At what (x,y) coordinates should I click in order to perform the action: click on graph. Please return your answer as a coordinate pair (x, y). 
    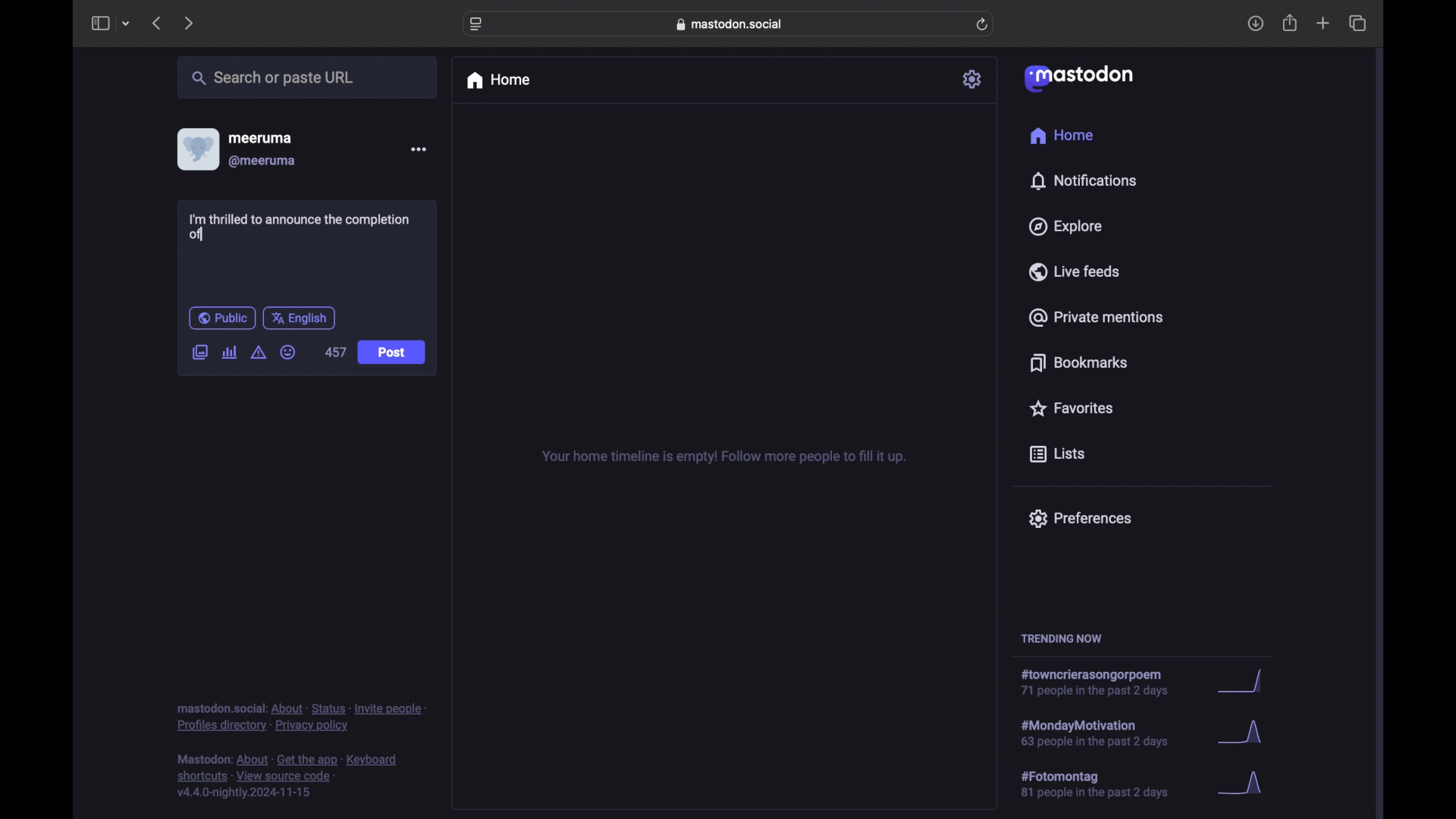
    Looking at the image, I should click on (1244, 734).